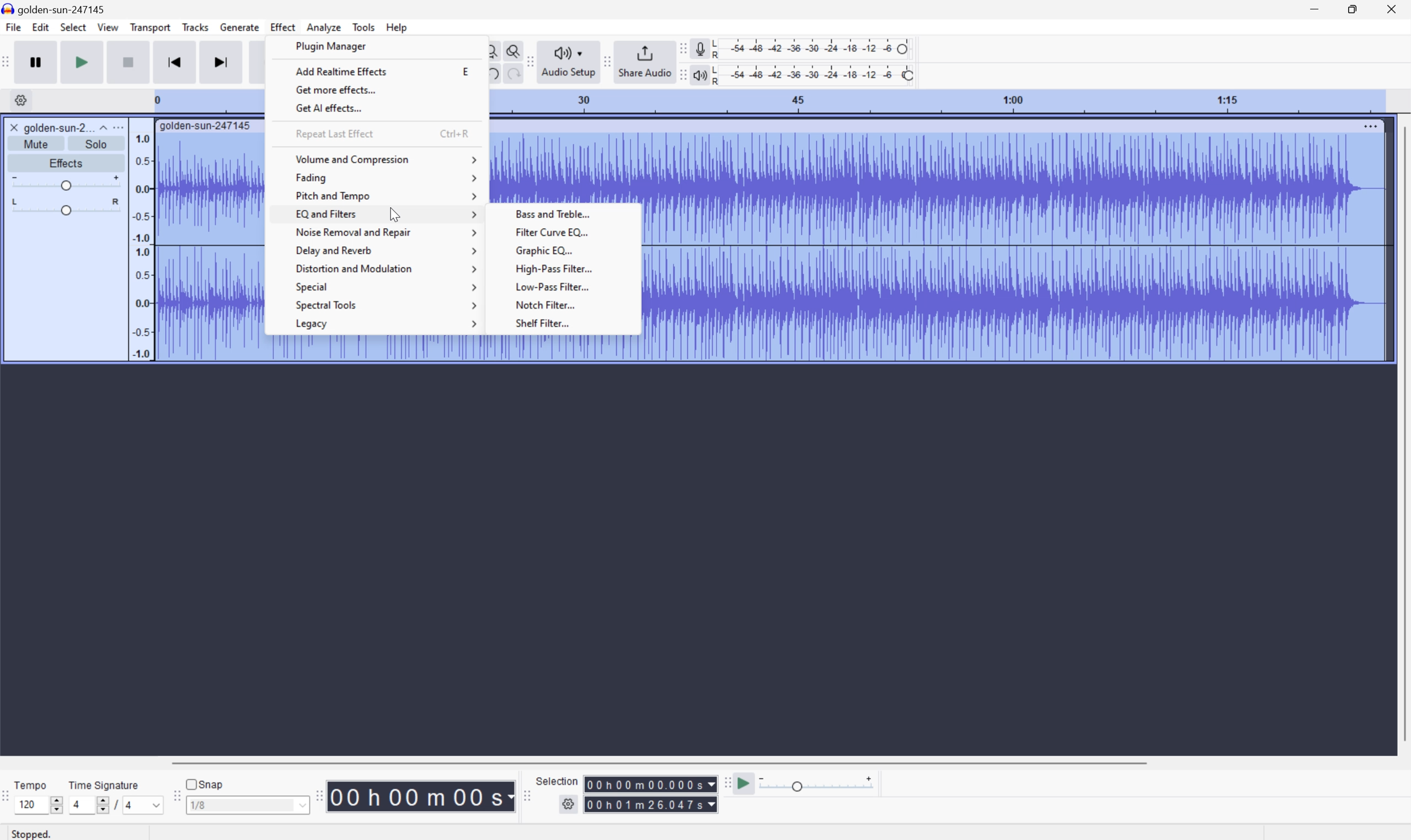 The width and height of the screenshot is (1411, 840). Describe the element at coordinates (745, 784) in the screenshot. I see `Play at speed` at that location.